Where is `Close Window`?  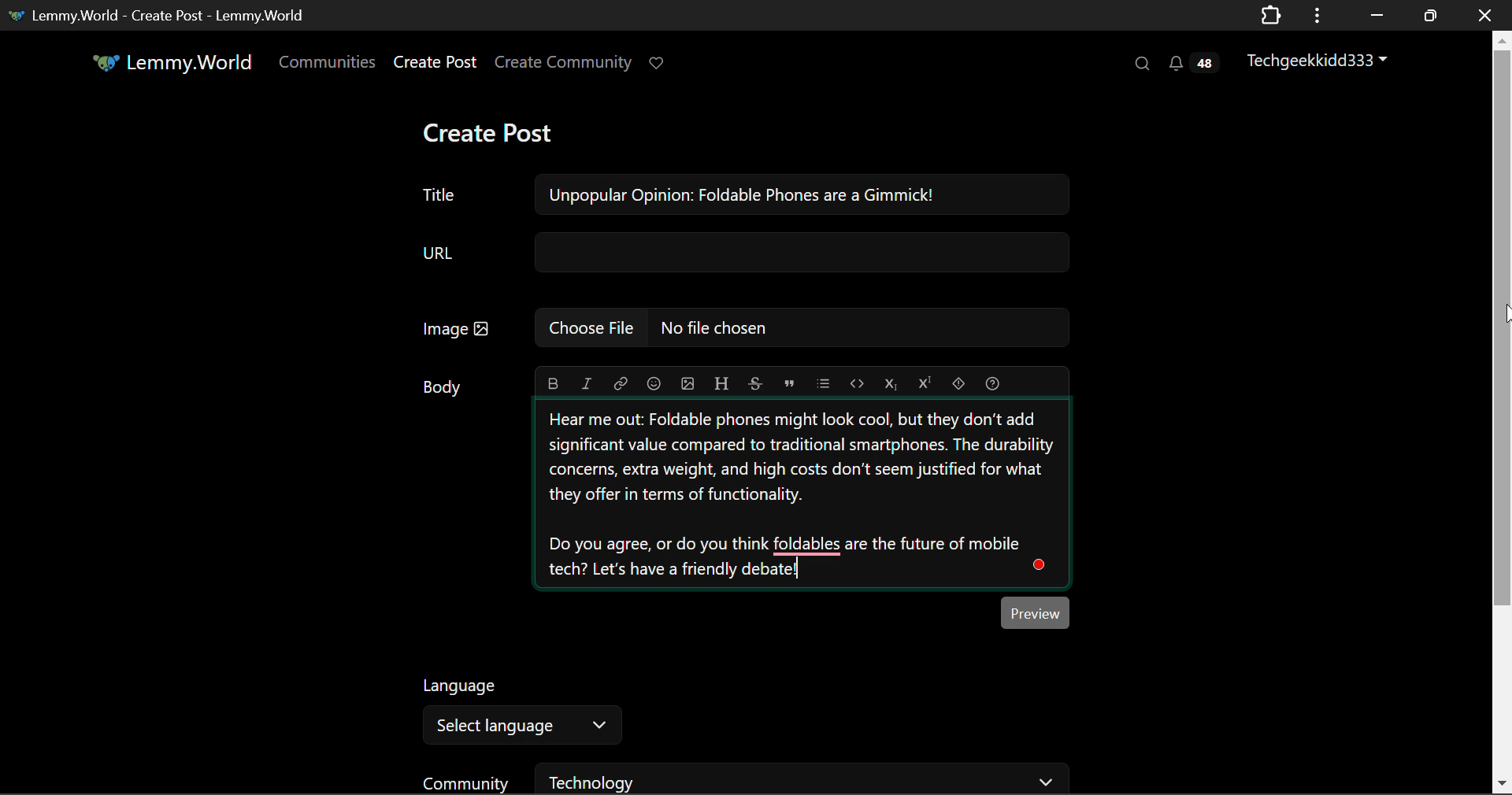 Close Window is located at coordinates (1485, 14).